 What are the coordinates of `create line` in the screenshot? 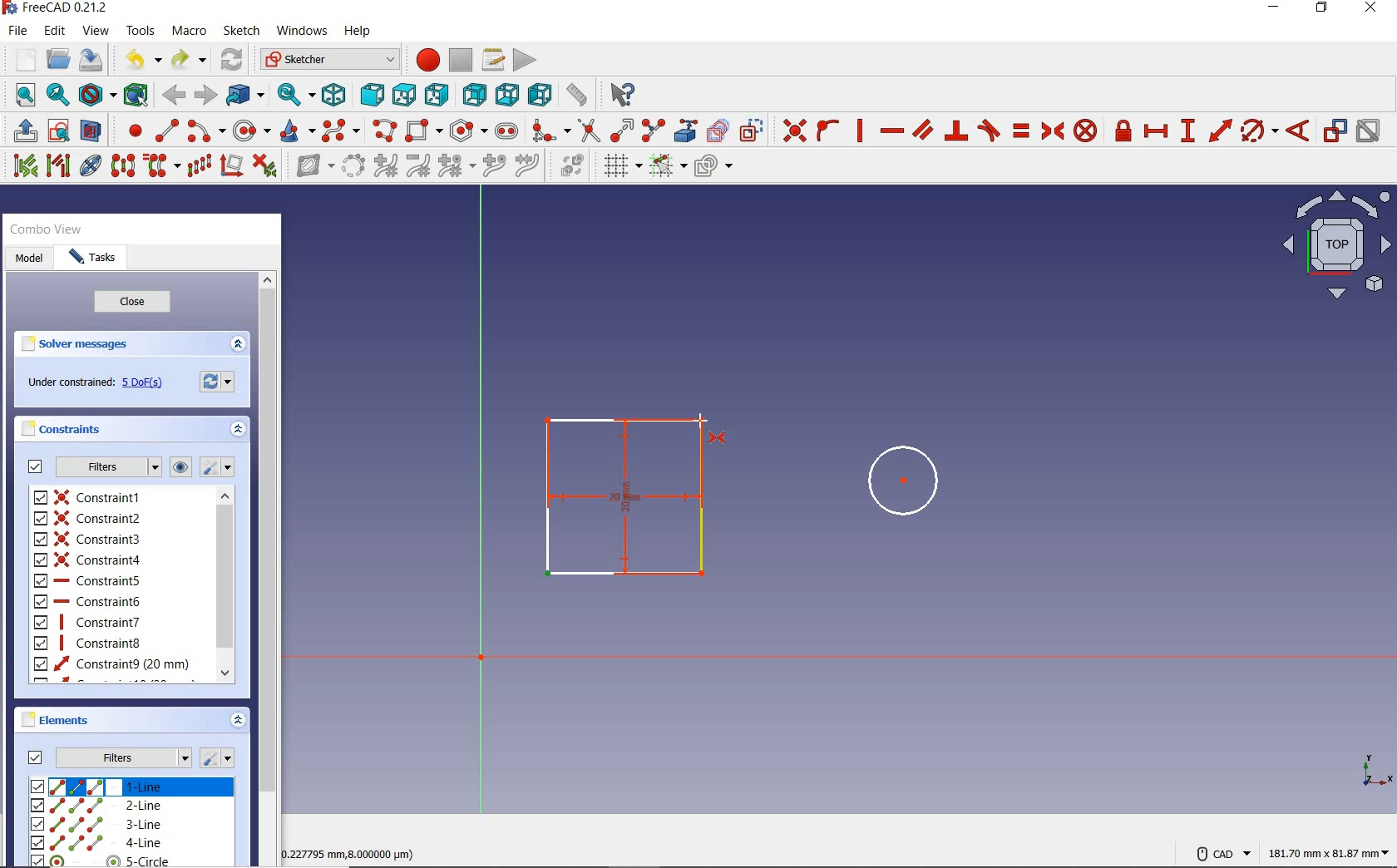 It's located at (166, 130).